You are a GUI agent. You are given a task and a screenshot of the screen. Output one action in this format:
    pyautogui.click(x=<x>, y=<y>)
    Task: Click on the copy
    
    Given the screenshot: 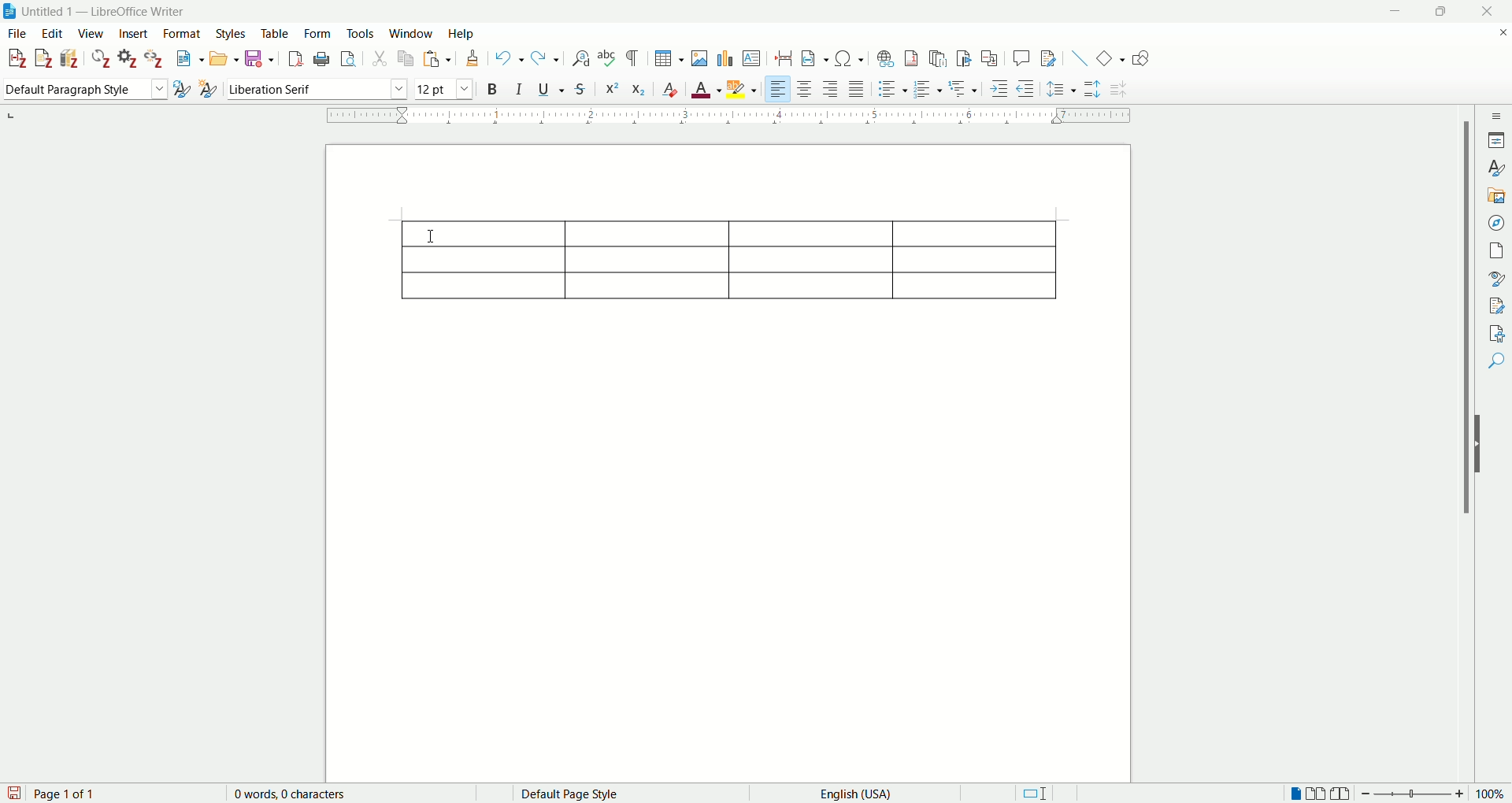 What is the action you would take?
    pyautogui.click(x=409, y=59)
    